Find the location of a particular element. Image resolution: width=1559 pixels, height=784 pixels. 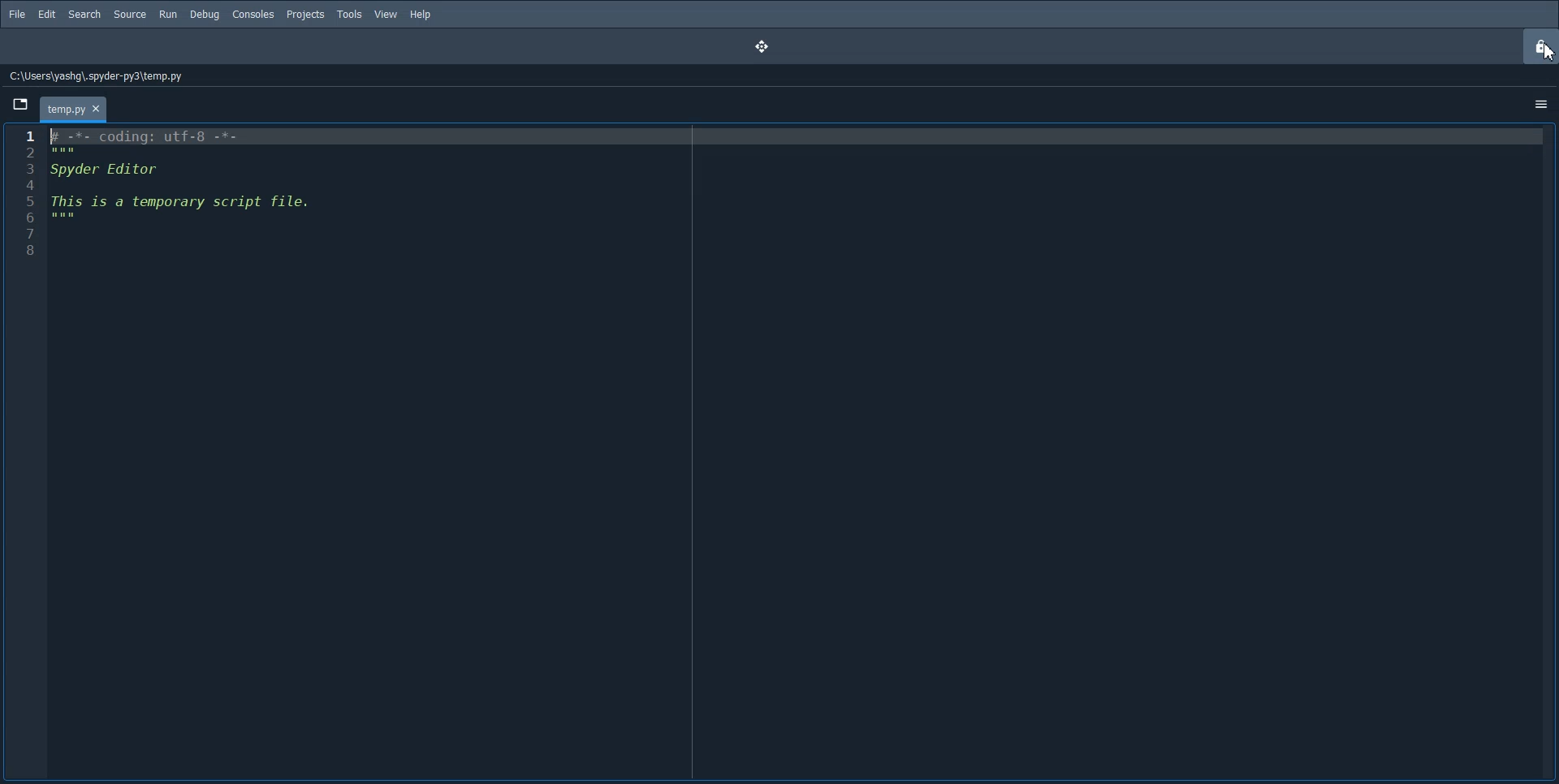

Drag  is located at coordinates (763, 46).